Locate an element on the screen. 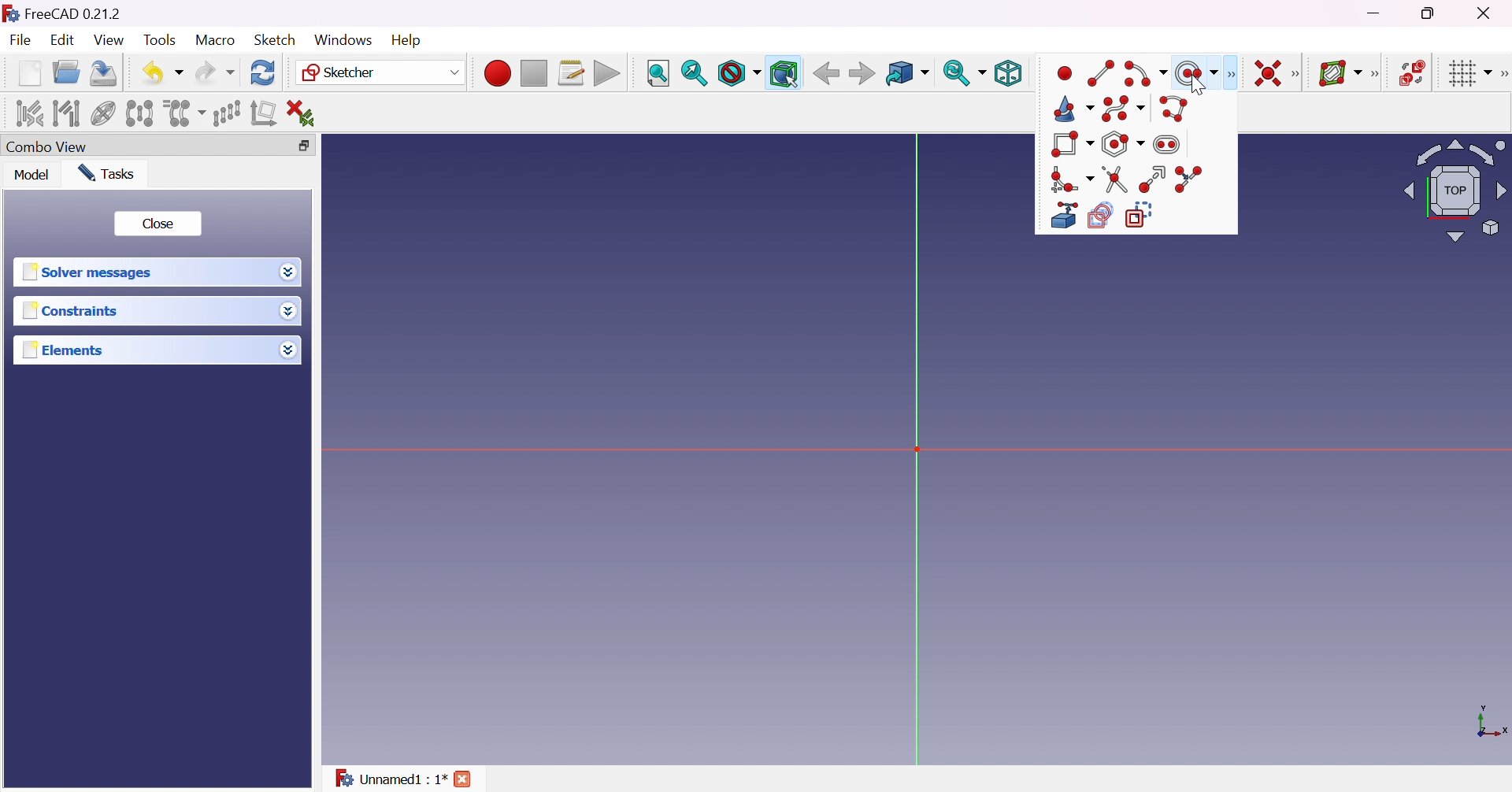 Image resolution: width=1512 pixels, height=792 pixels. Create point is located at coordinates (1066, 72).